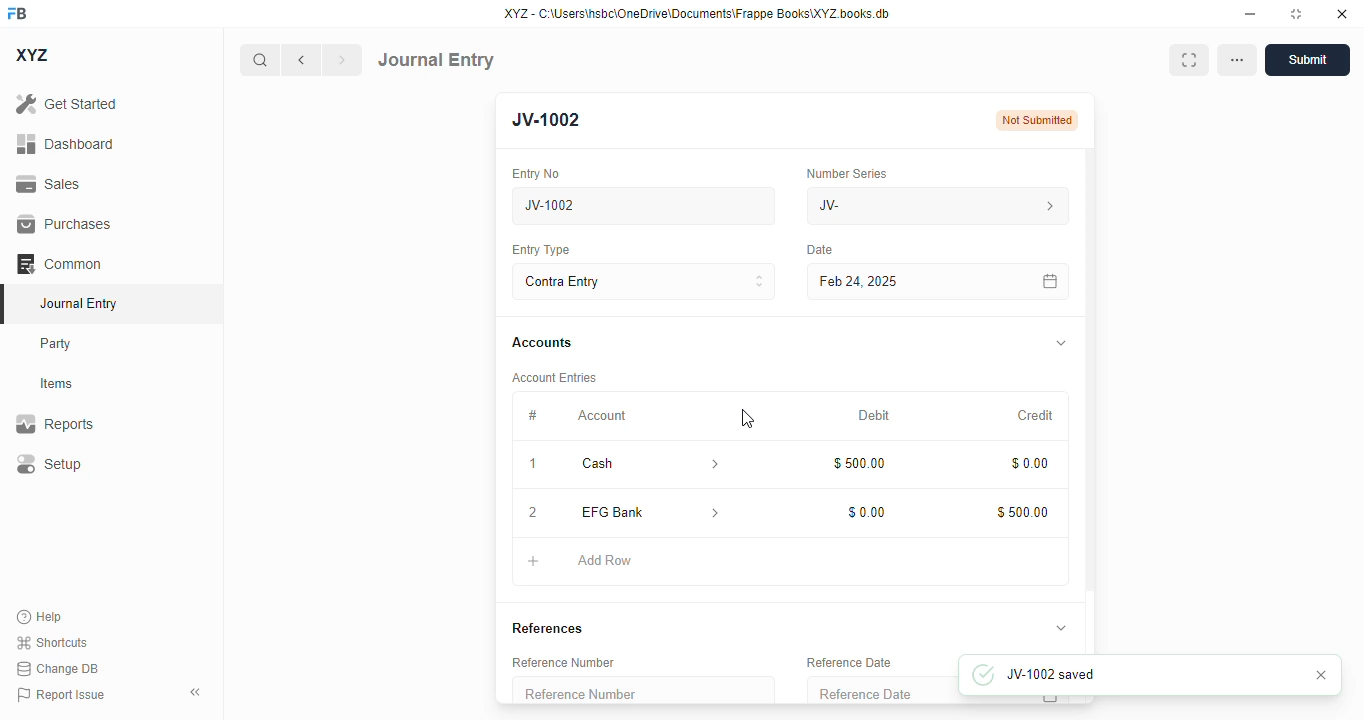 The width and height of the screenshot is (1364, 720). What do you see at coordinates (697, 14) in the screenshot?
I see `XYZ - C:\Users\hsbc\OneDrive\Documents\Frappe Books\XYZ books. db` at bounding box center [697, 14].